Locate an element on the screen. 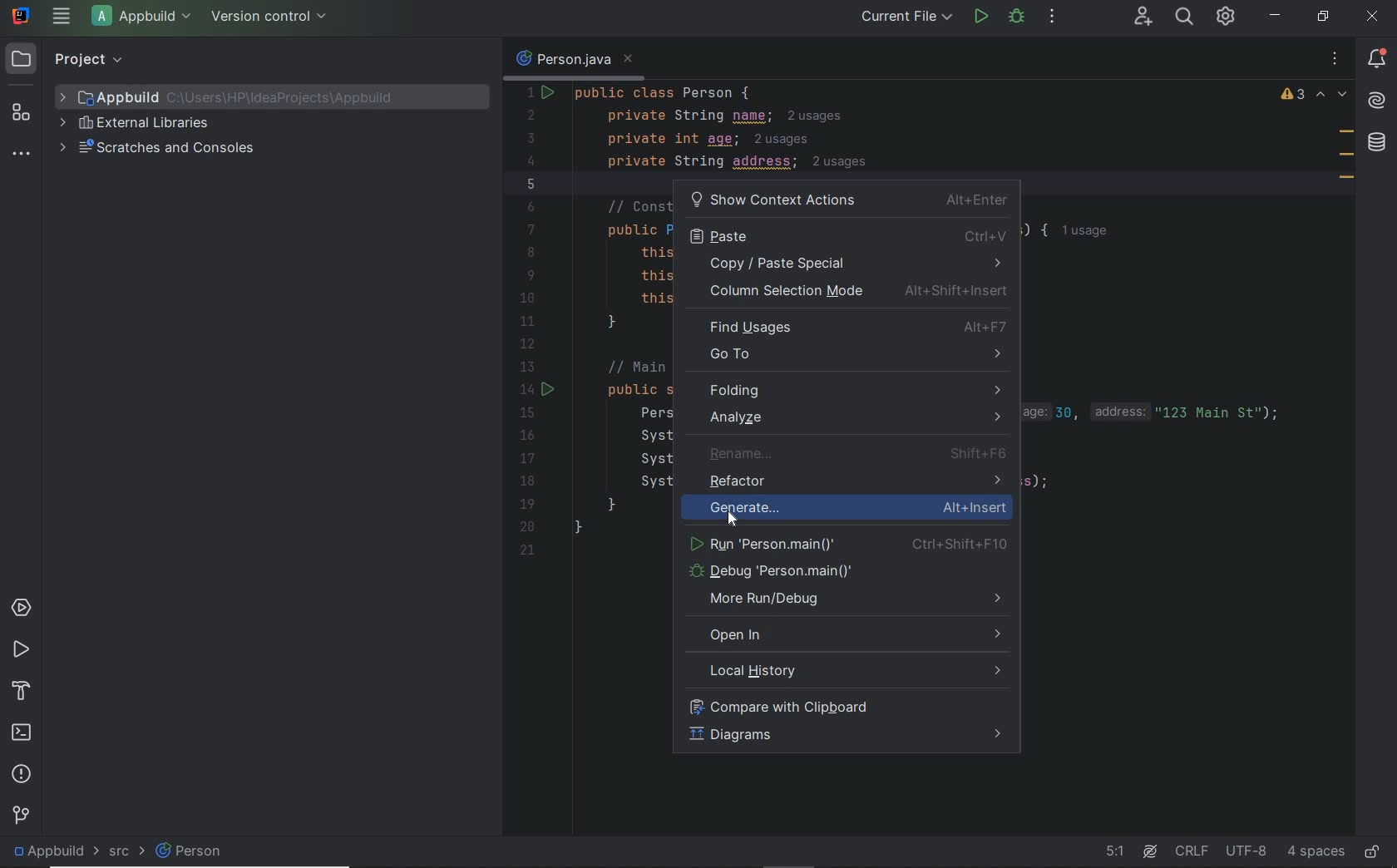  close is located at coordinates (1373, 17).